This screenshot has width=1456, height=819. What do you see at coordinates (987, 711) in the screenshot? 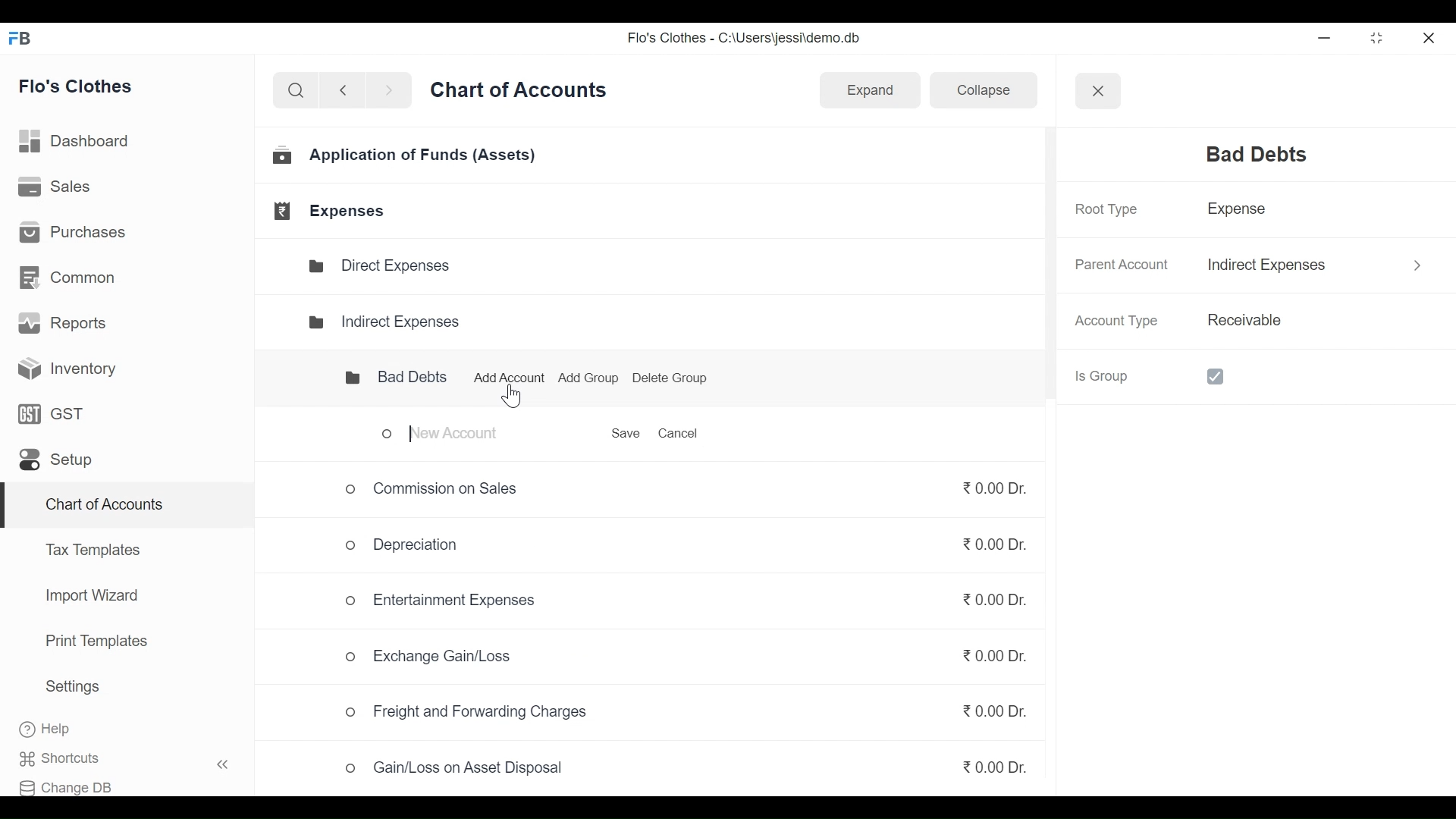
I see `₹0.00 Dr.` at bounding box center [987, 711].